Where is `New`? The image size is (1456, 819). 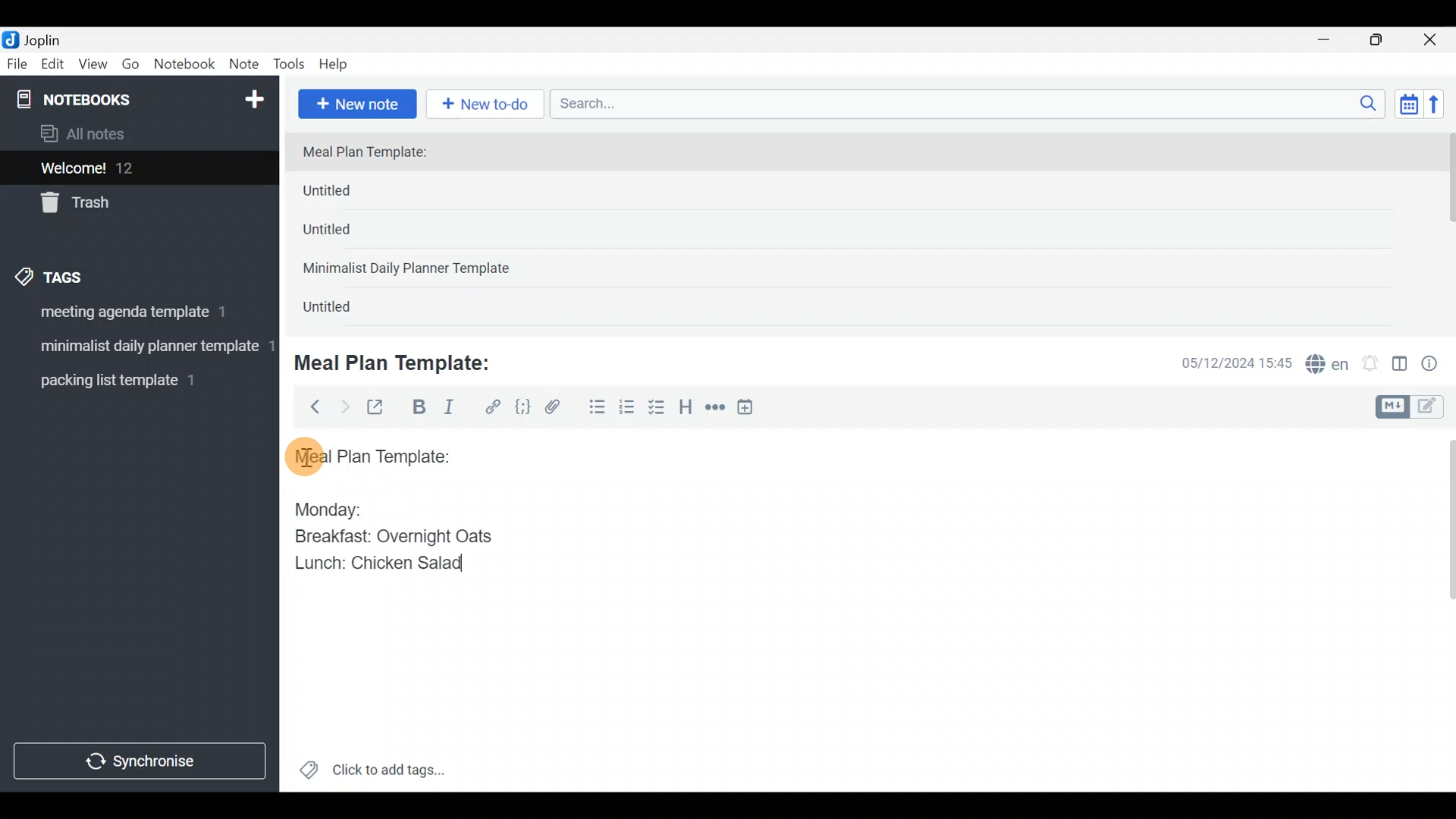
New is located at coordinates (253, 96).